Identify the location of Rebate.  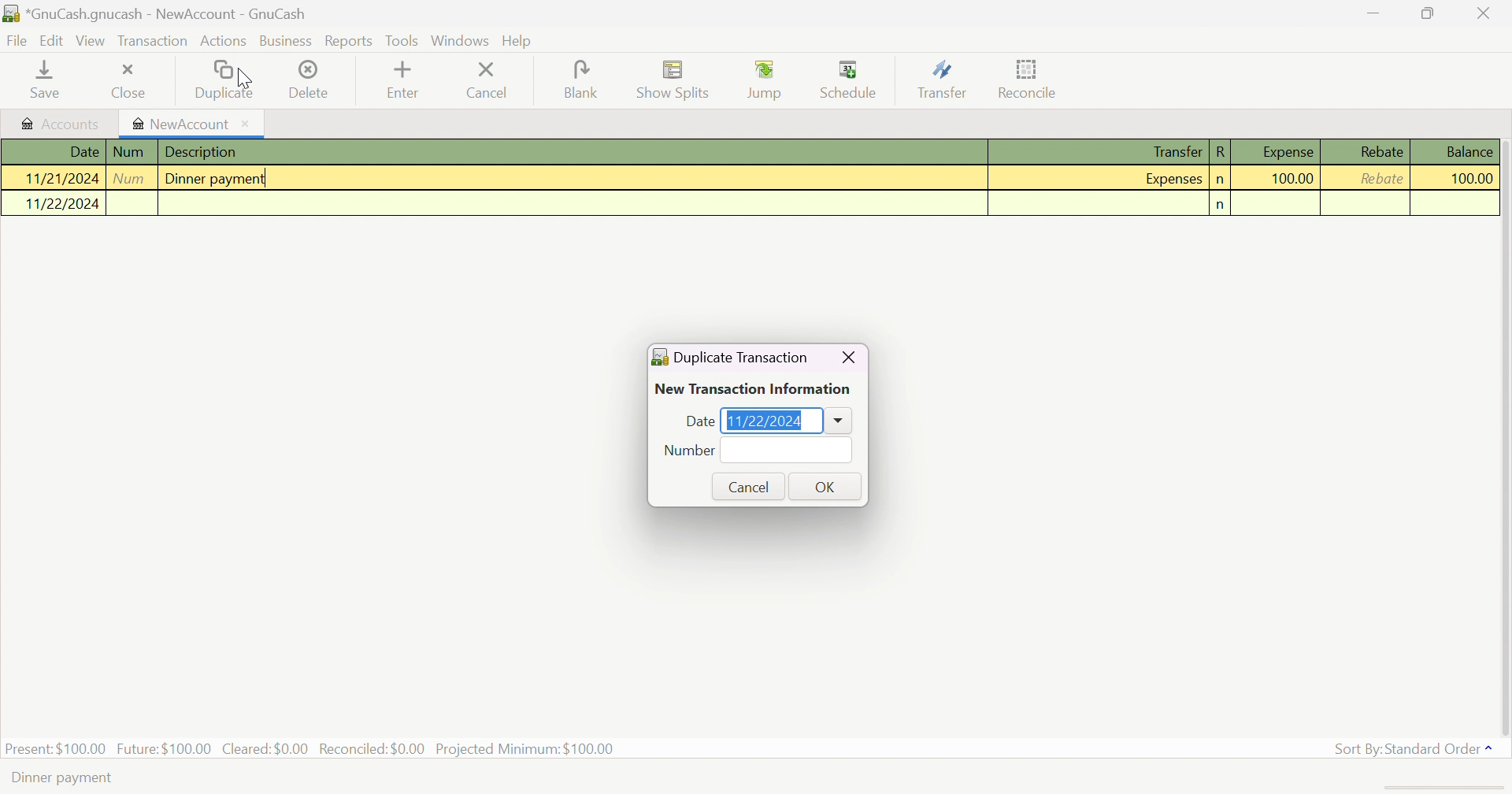
(1382, 178).